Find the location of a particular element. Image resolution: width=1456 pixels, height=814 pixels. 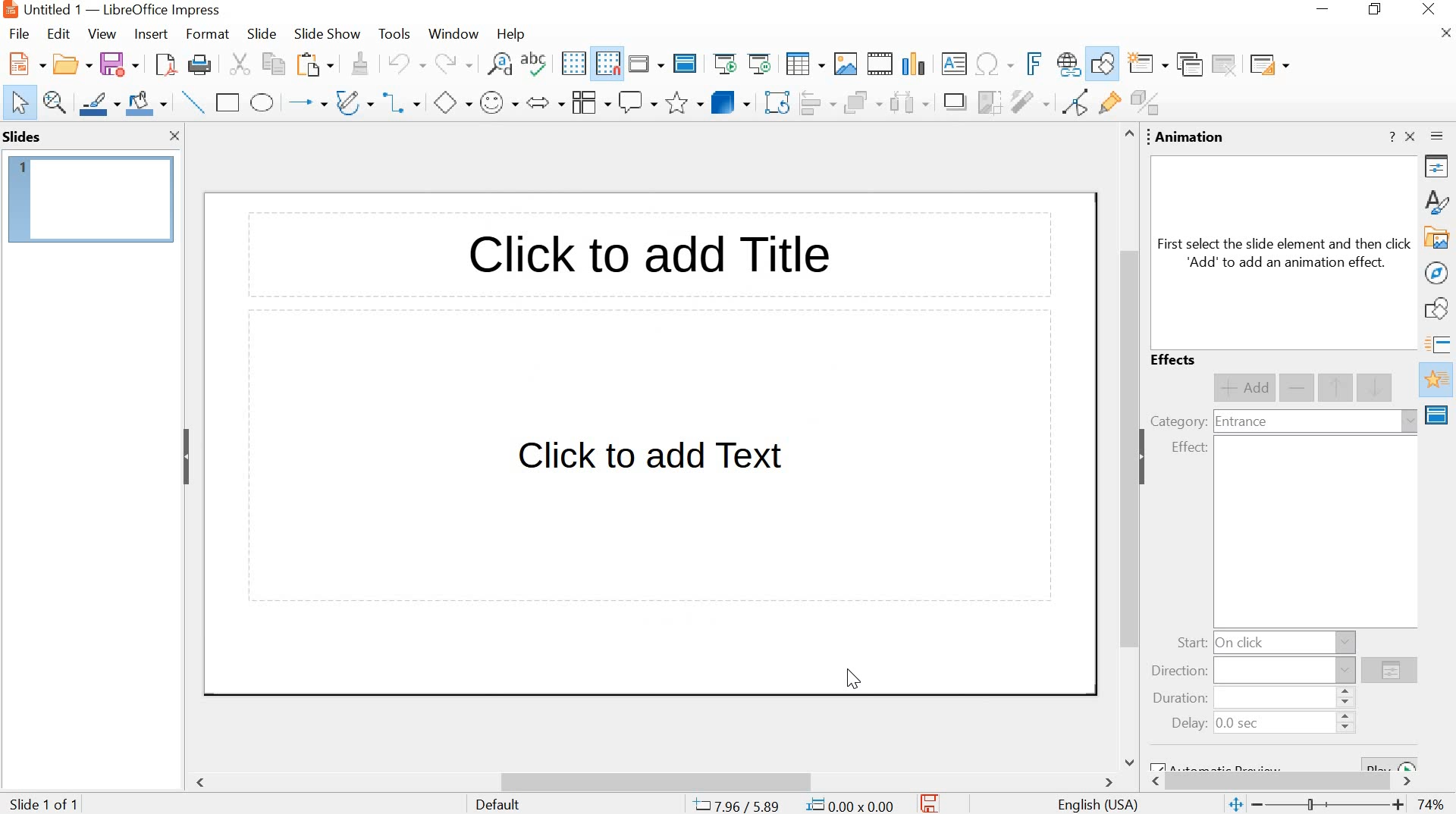

save is located at coordinates (119, 64).